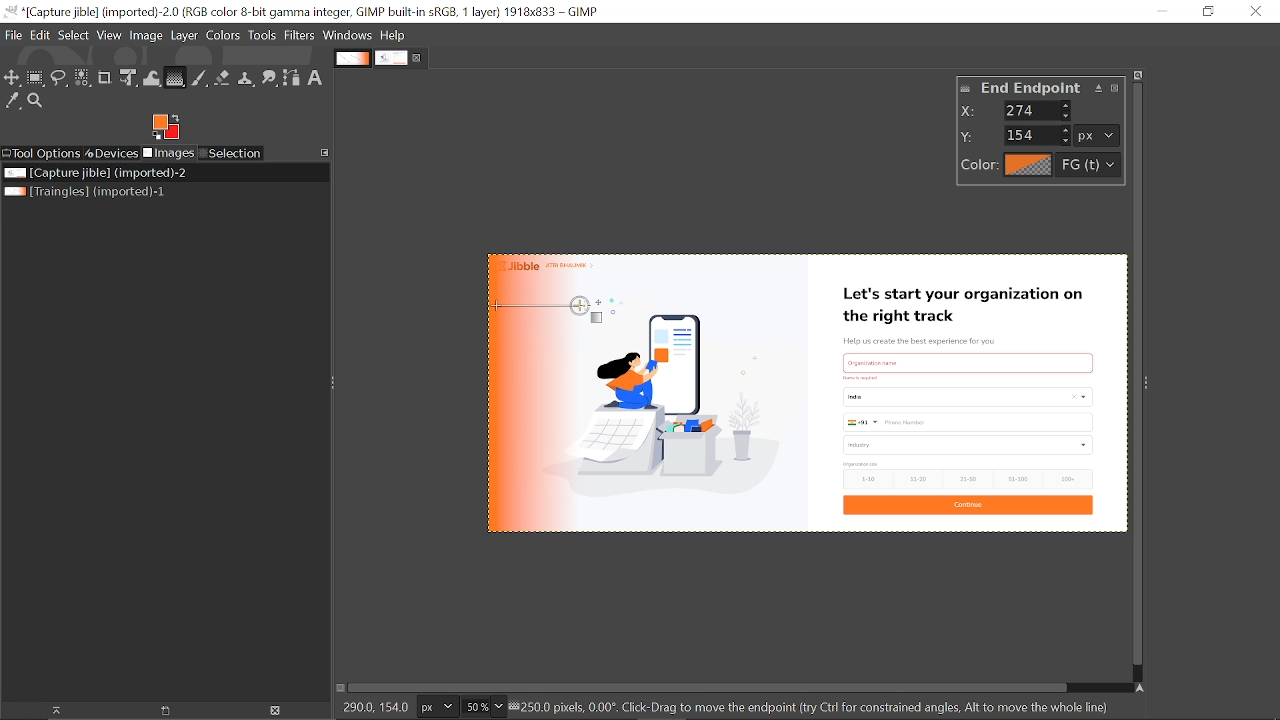 Image resolution: width=1280 pixels, height=720 pixels. What do you see at coordinates (185, 36) in the screenshot?
I see `Layer` at bounding box center [185, 36].